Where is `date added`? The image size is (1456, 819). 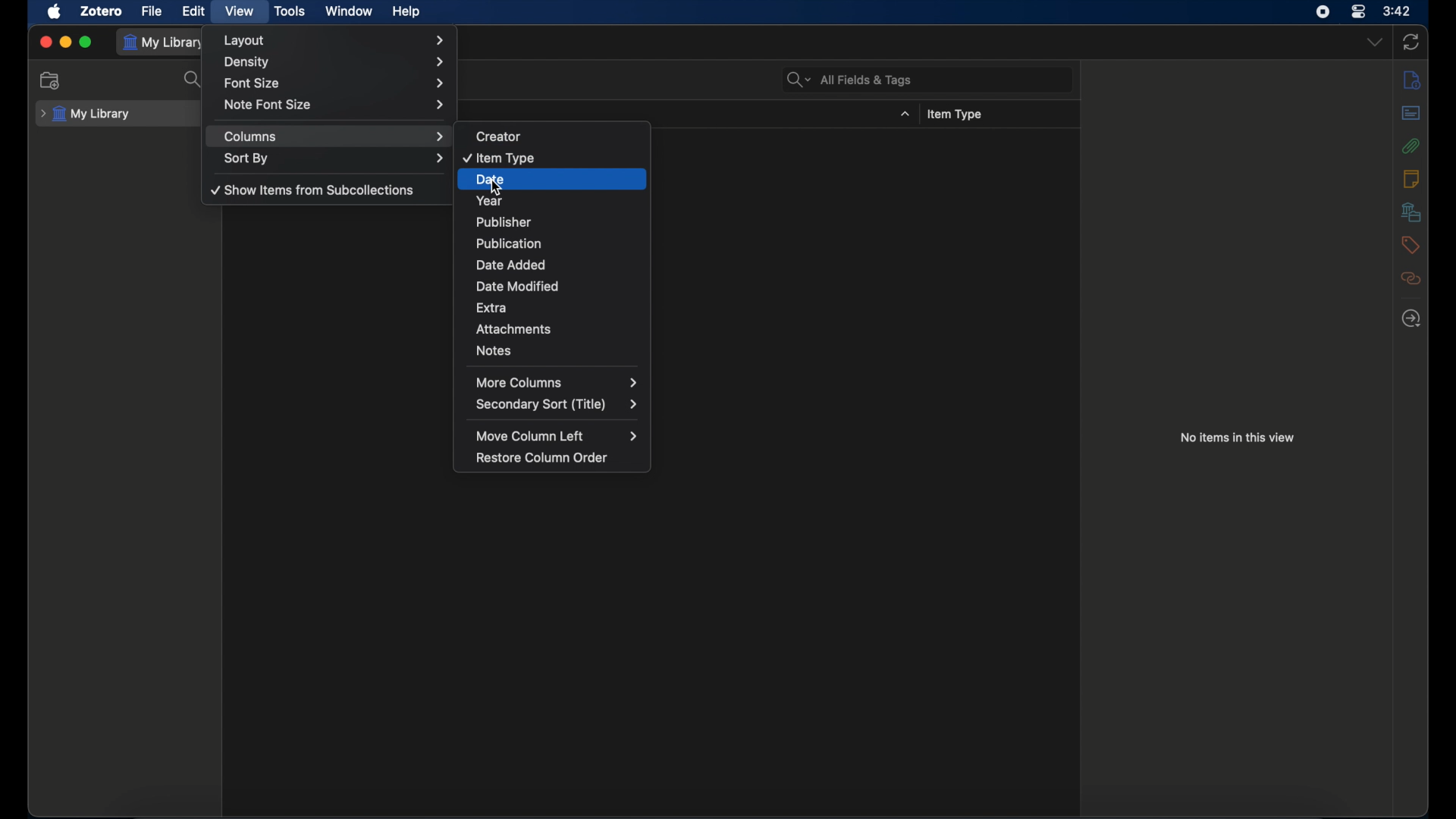 date added is located at coordinates (554, 265).